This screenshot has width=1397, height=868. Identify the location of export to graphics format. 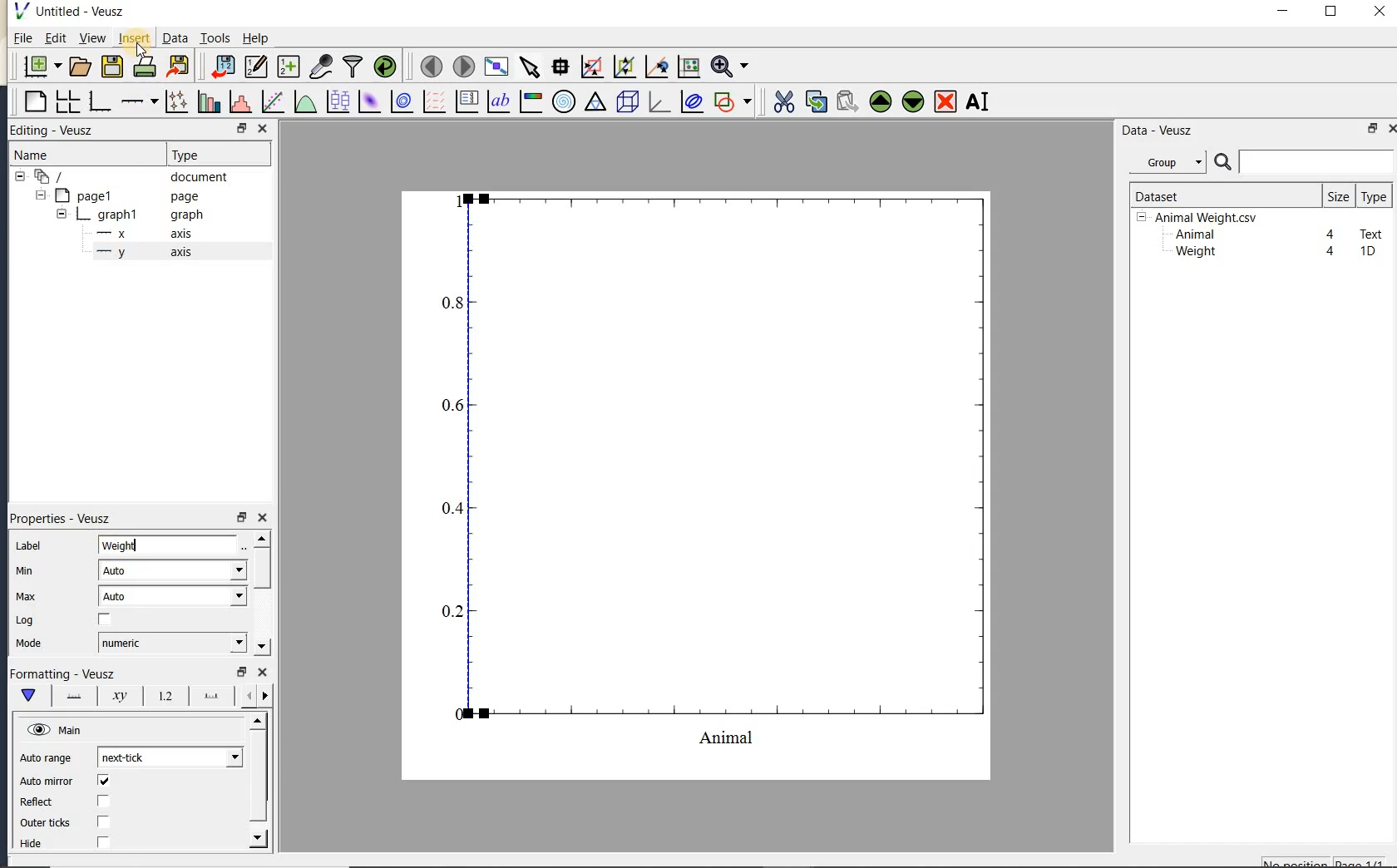
(179, 65).